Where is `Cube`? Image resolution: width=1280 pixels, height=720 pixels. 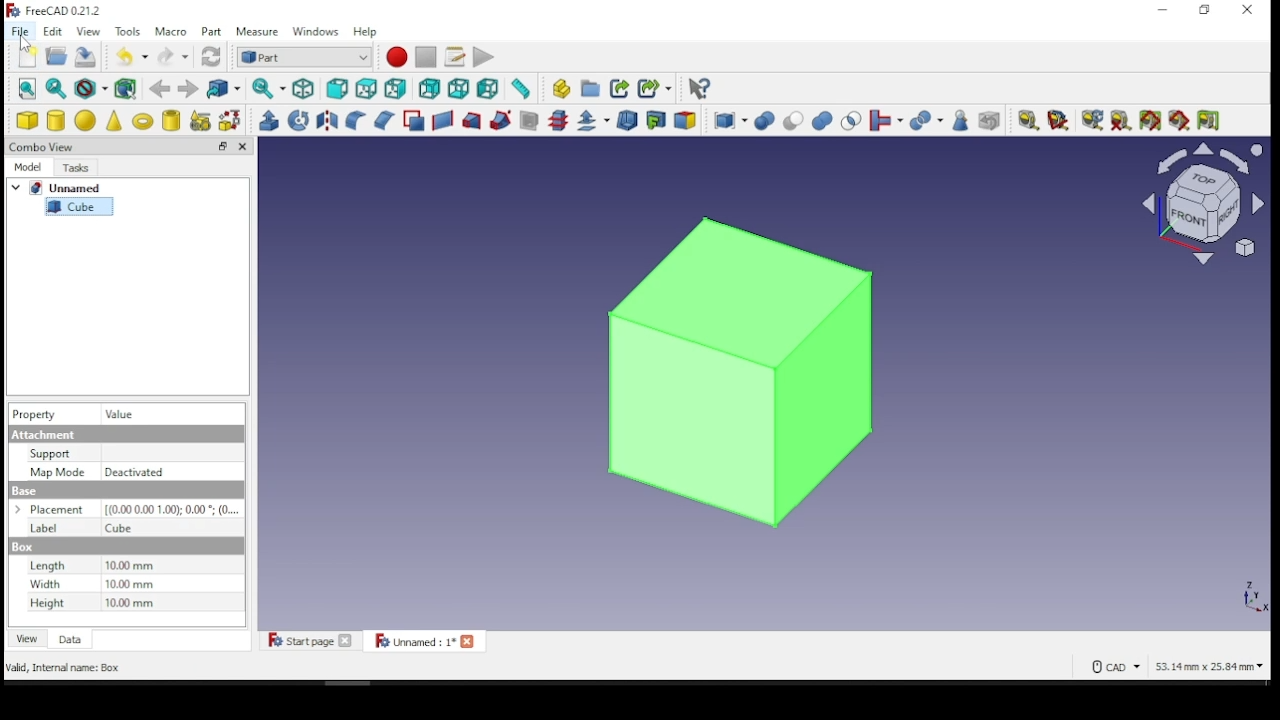 Cube is located at coordinates (119, 529).